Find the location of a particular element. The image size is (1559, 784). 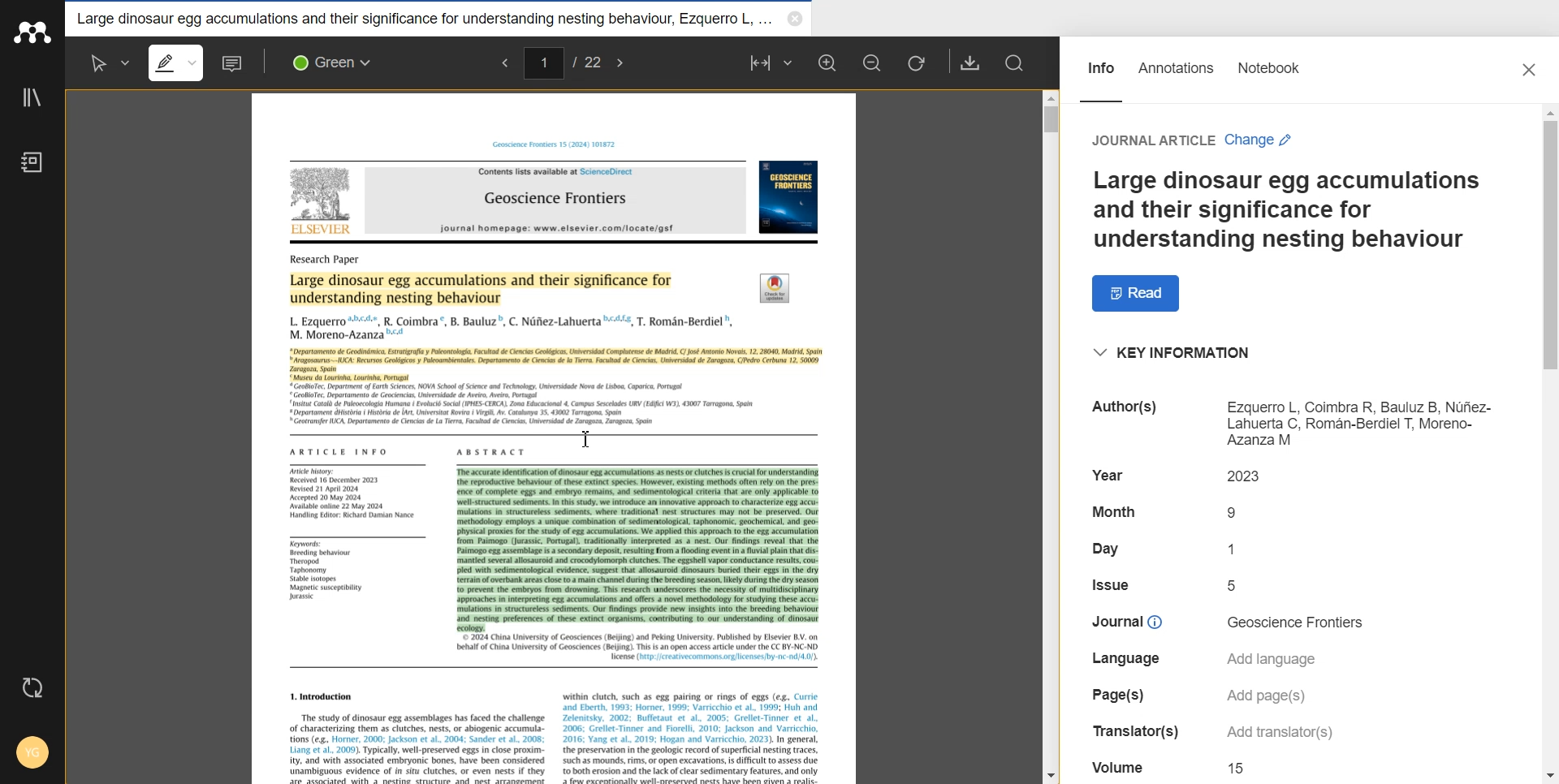

text is located at coordinates (1267, 697).